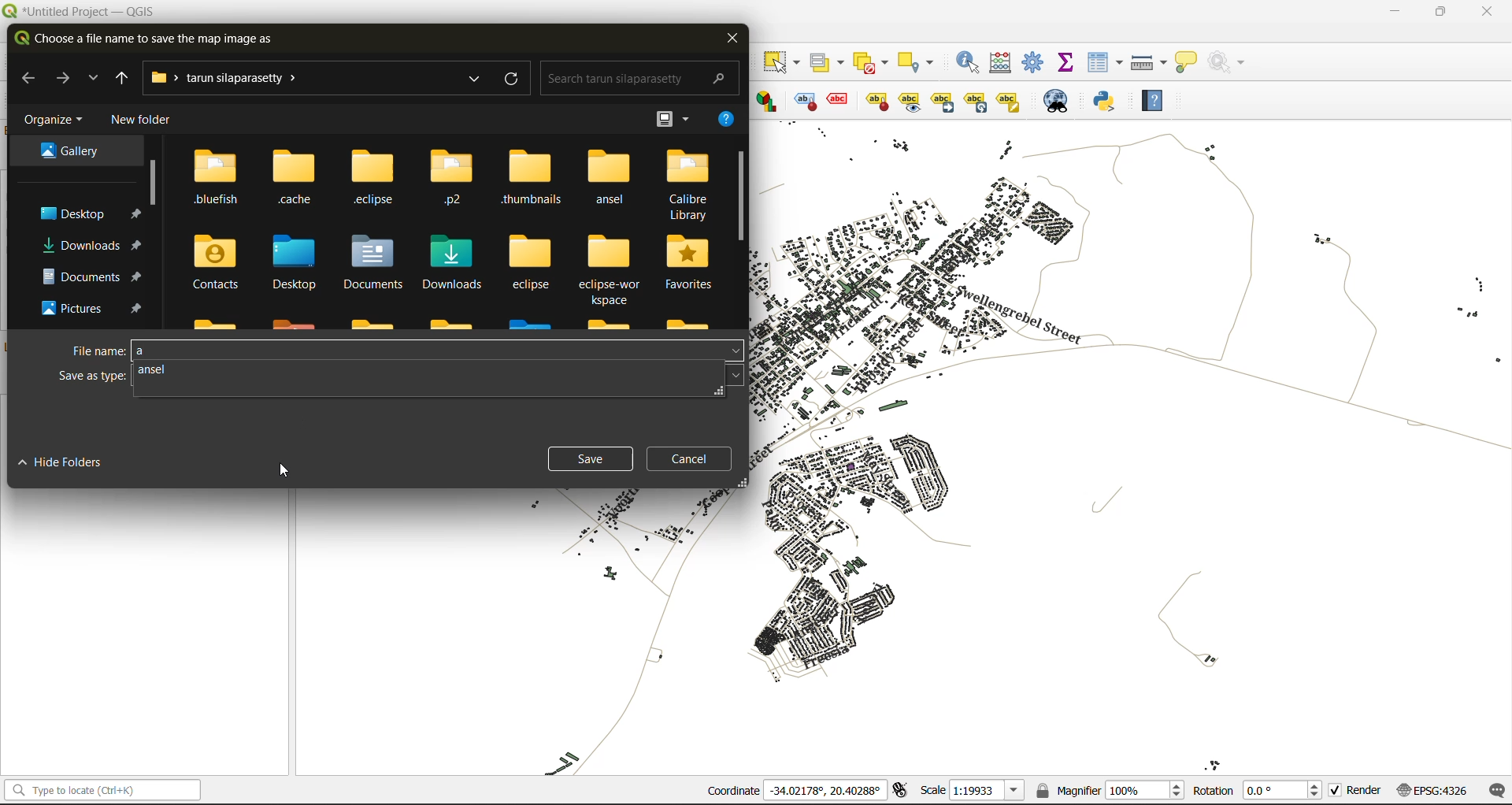 The image size is (1512, 805). I want to click on new folder, so click(139, 121).